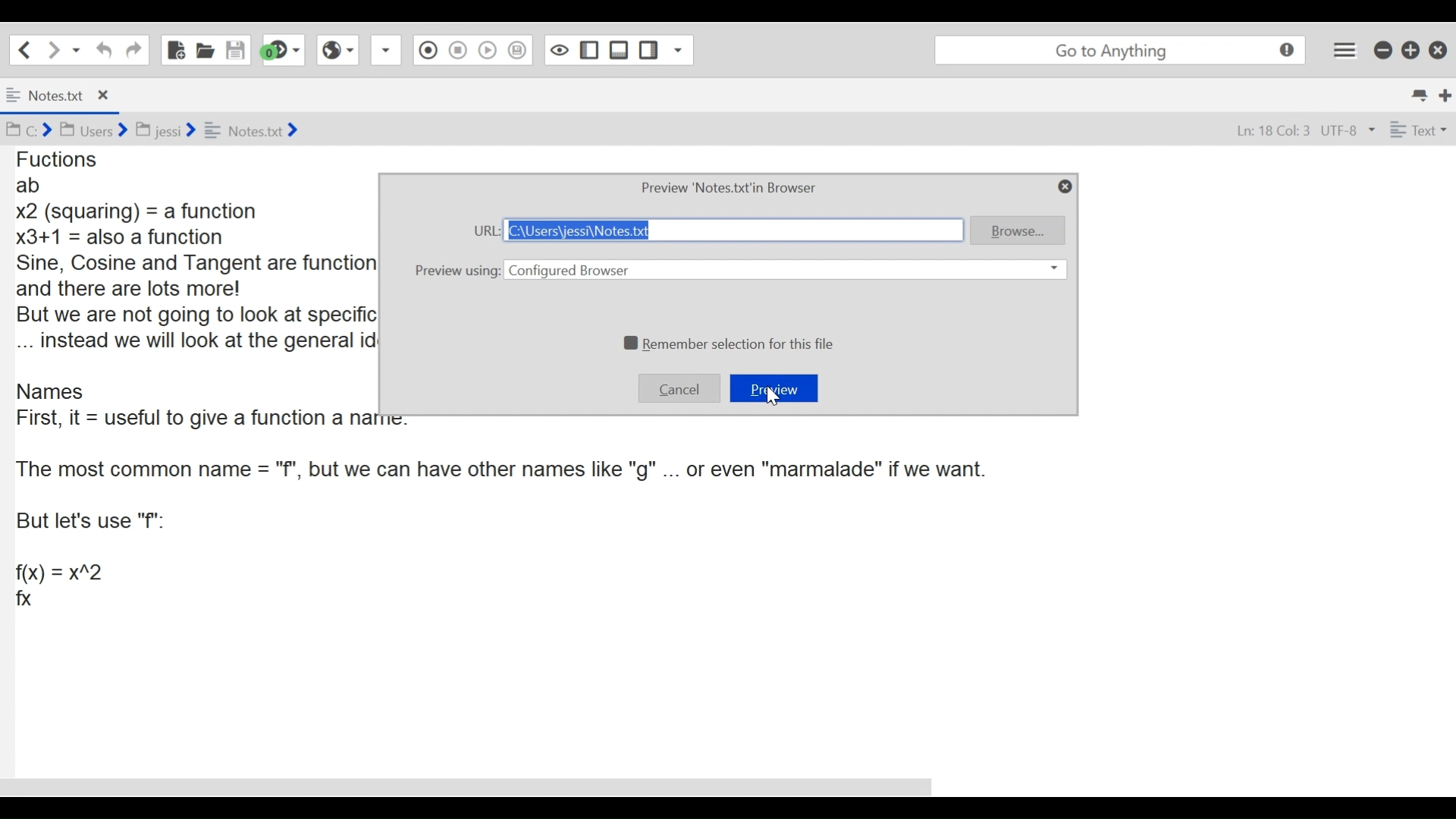 The width and height of the screenshot is (1456, 819). I want to click on Save Macro to toolbox as Superscript, so click(518, 49).